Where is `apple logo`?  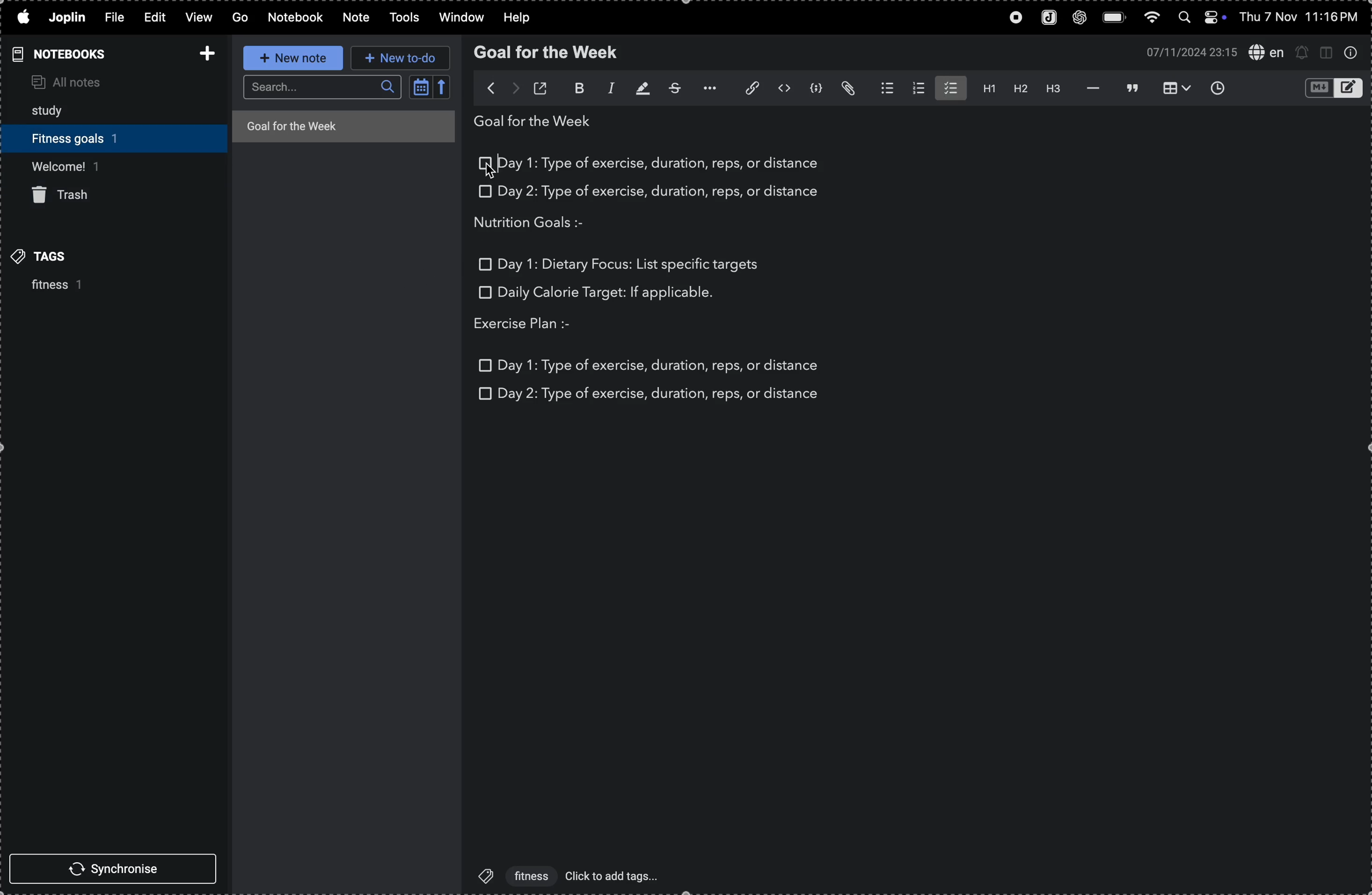
apple logo is located at coordinates (22, 16).